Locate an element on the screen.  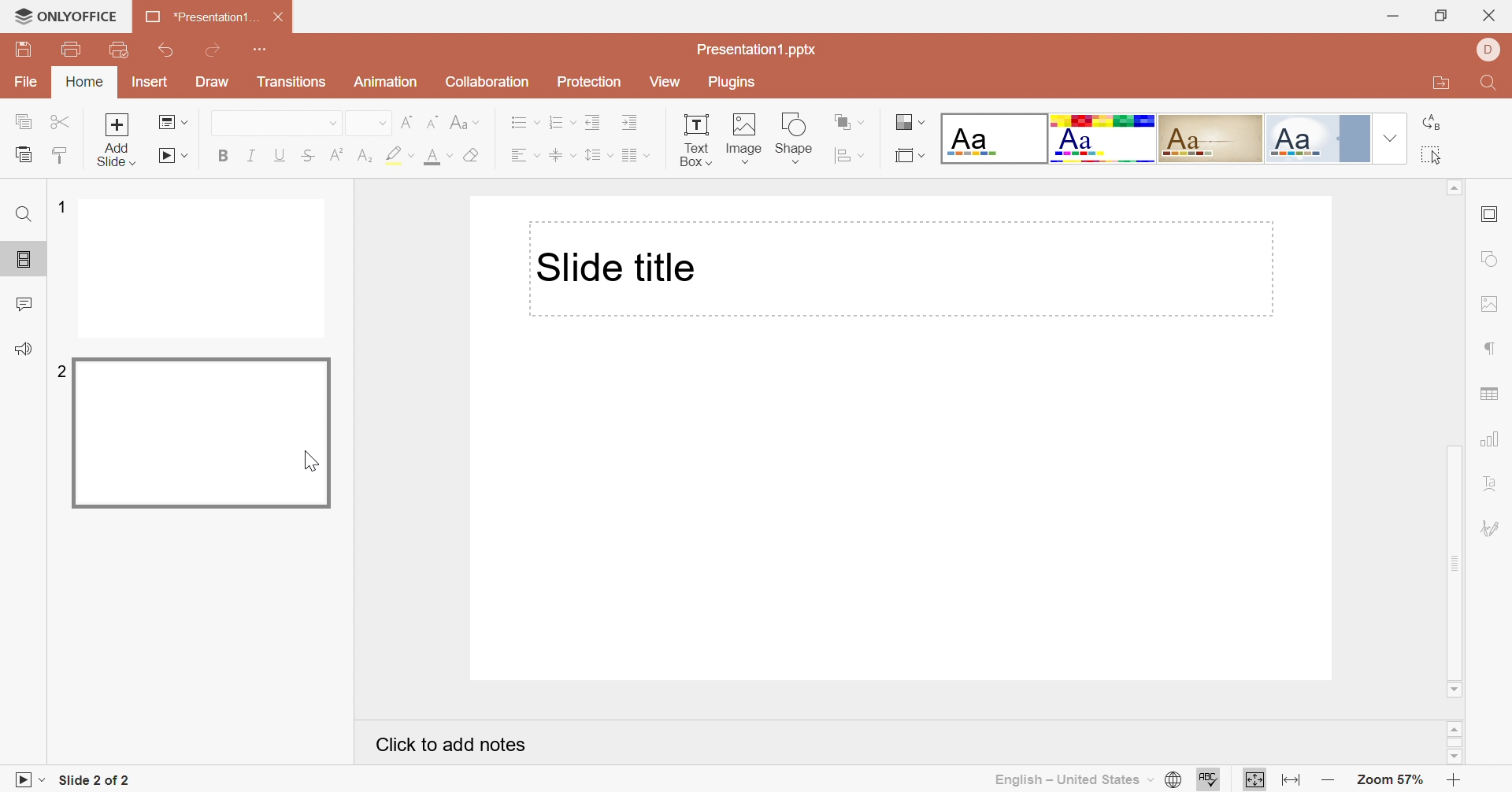
Add slide is located at coordinates (117, 140).